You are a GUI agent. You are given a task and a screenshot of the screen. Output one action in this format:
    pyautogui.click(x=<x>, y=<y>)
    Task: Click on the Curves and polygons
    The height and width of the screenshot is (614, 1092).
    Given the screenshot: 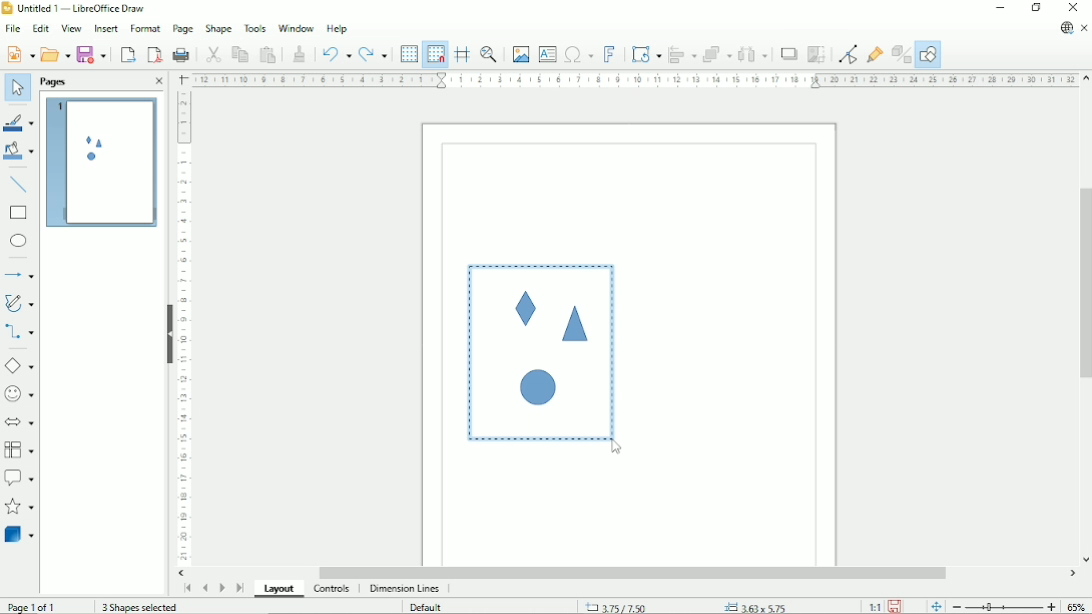 What is the action you would take?
    pyautogui.click(x=19, y=303)
    